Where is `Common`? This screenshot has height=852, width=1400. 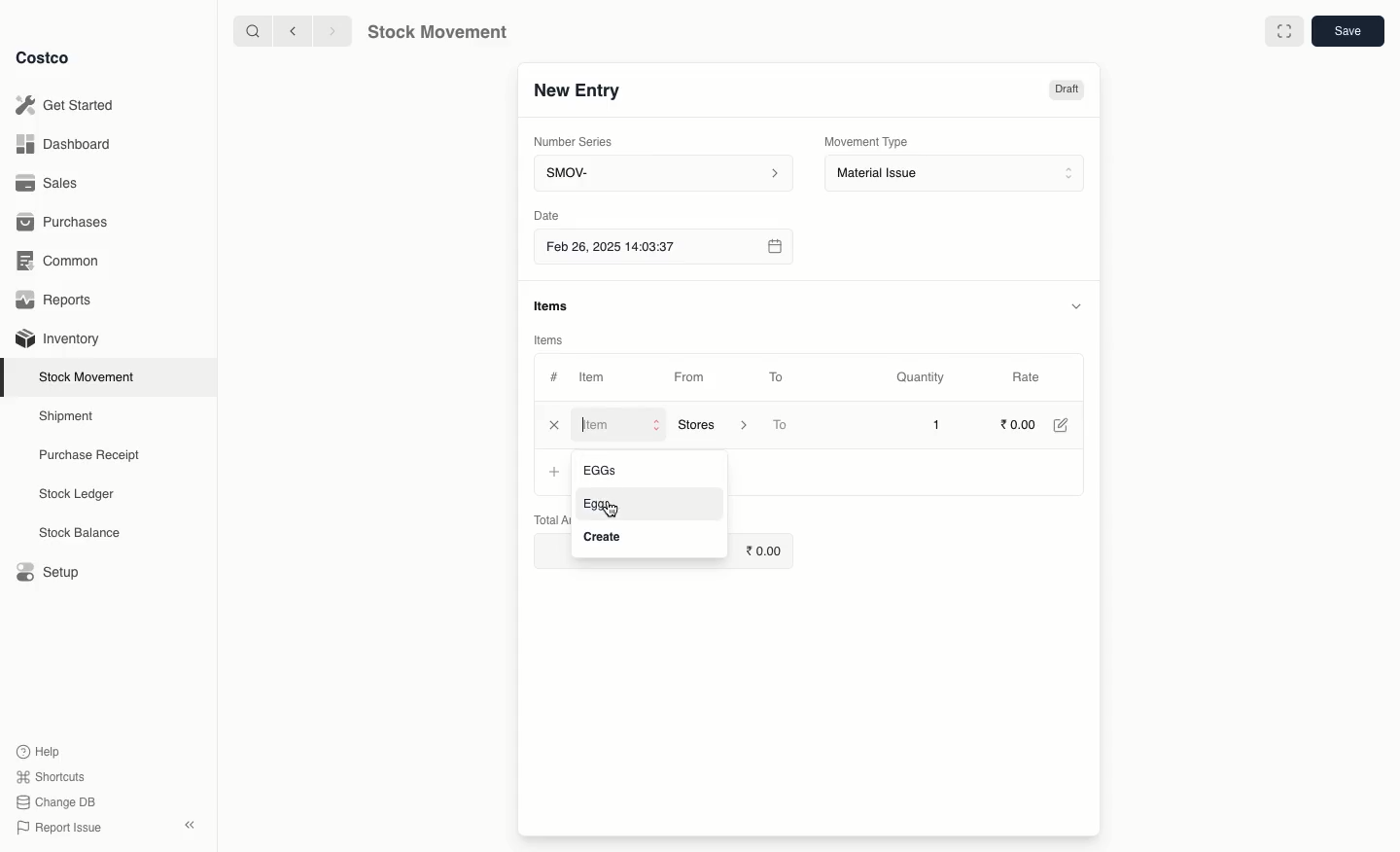 Common is located at coordinates (63, 263).